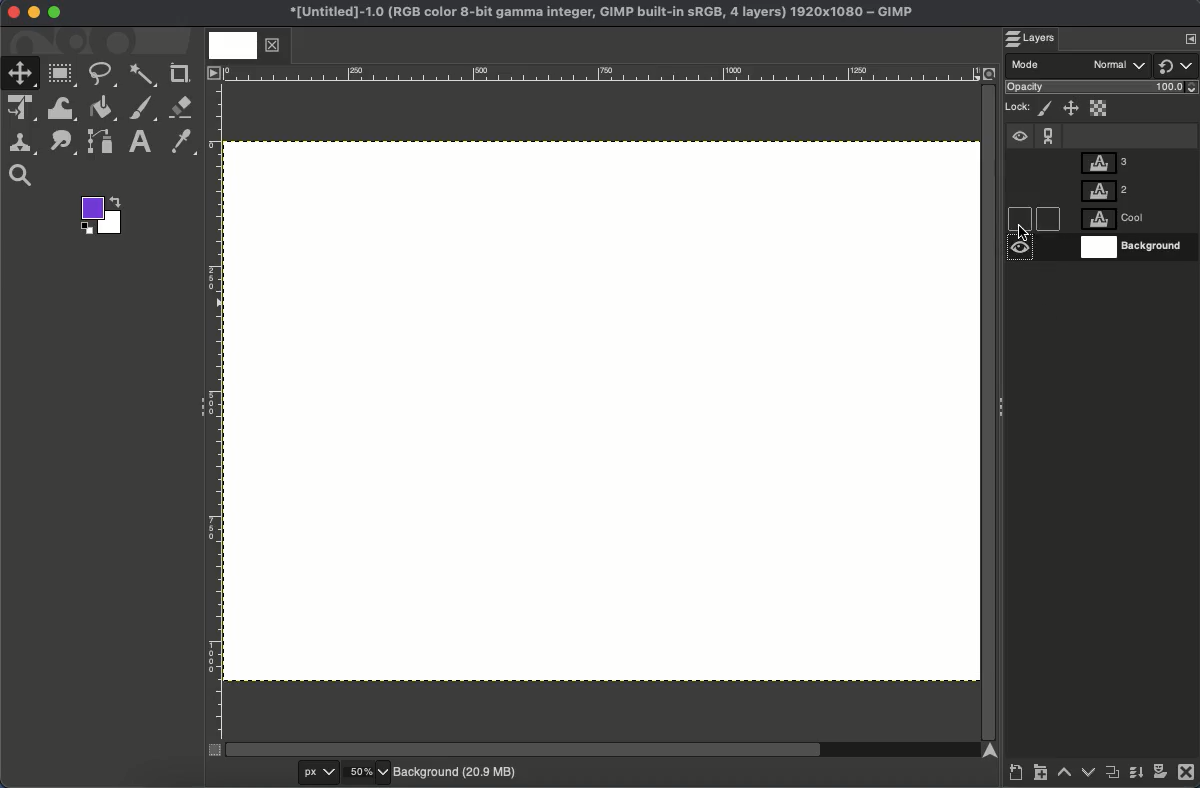 The width and height of the screenshot is (1200, 788). What do you see at coordinates (988, 409) in the screenshot?
I see `Scroll` at bounding box center [988, 409].